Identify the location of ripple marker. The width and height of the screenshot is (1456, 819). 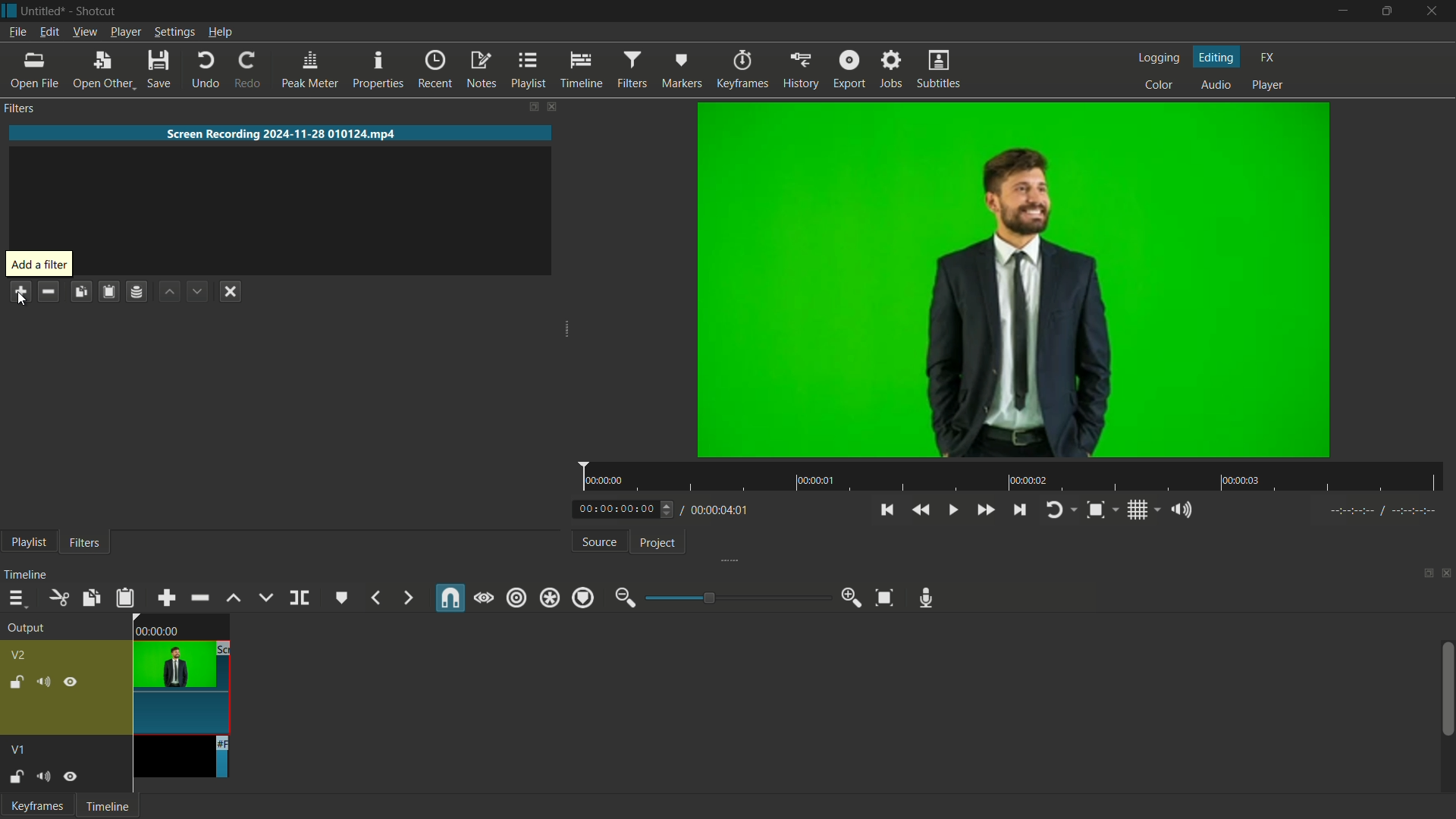
(582, 598).